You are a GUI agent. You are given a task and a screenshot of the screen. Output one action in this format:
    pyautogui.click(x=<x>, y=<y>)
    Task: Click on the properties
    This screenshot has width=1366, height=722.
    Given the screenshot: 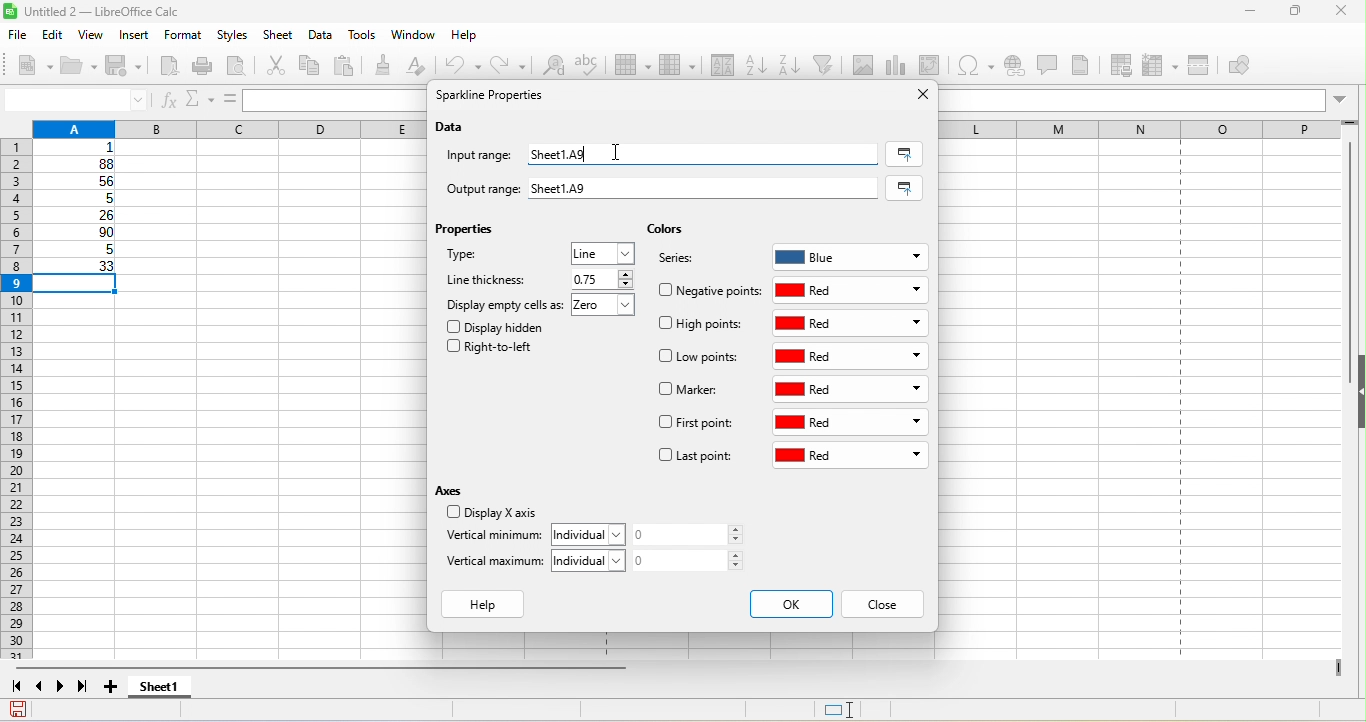 What is the action you would take?
    pyautogui.click(x=469, y=233)
    